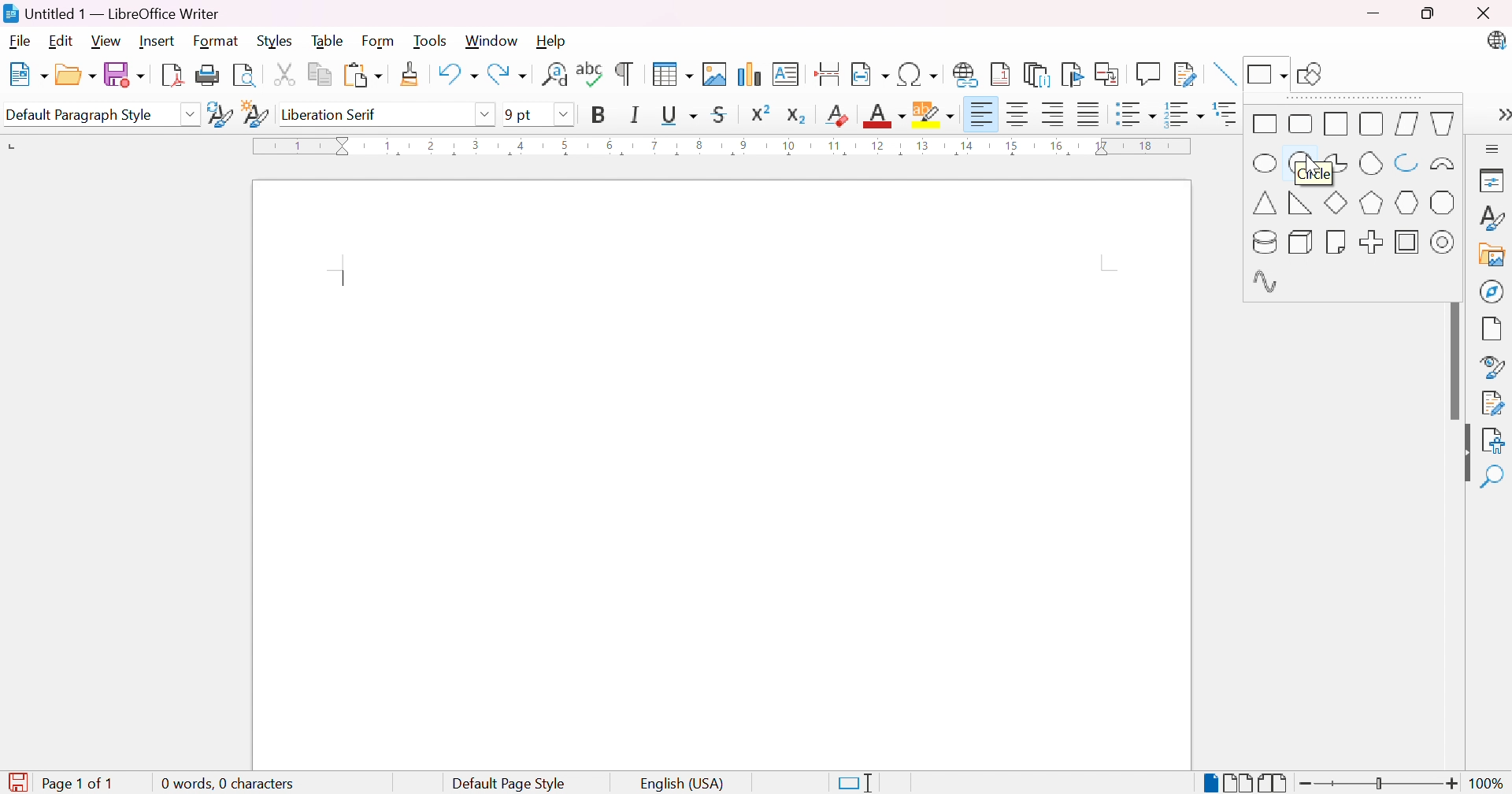 This screenshot has width=1512, height=794. I want to click on Insert, so click(159, 42).